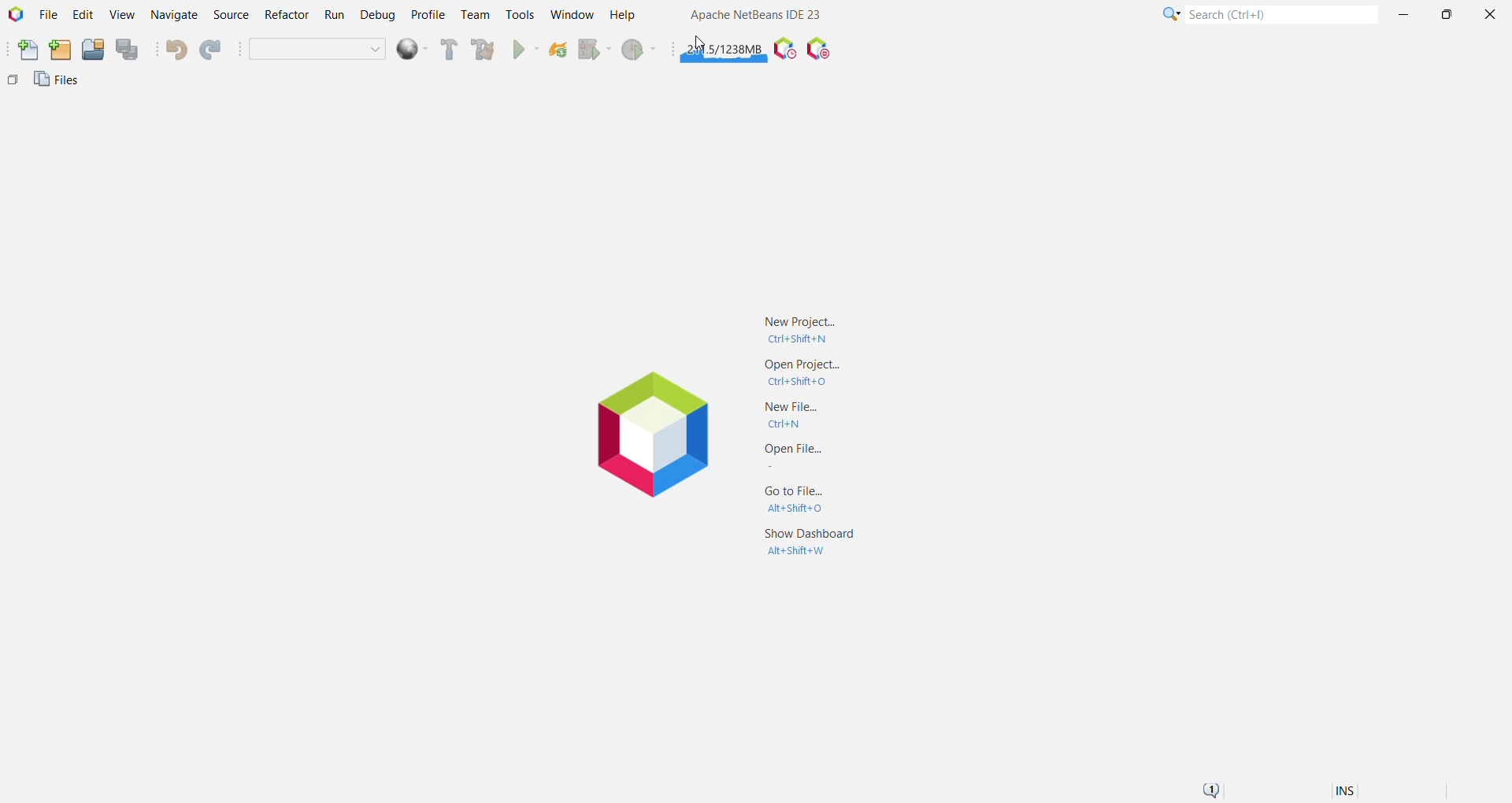 Image resolution: width=1512 pixels, height=803 pixels. I want to click on Undo, so click(175, 50).